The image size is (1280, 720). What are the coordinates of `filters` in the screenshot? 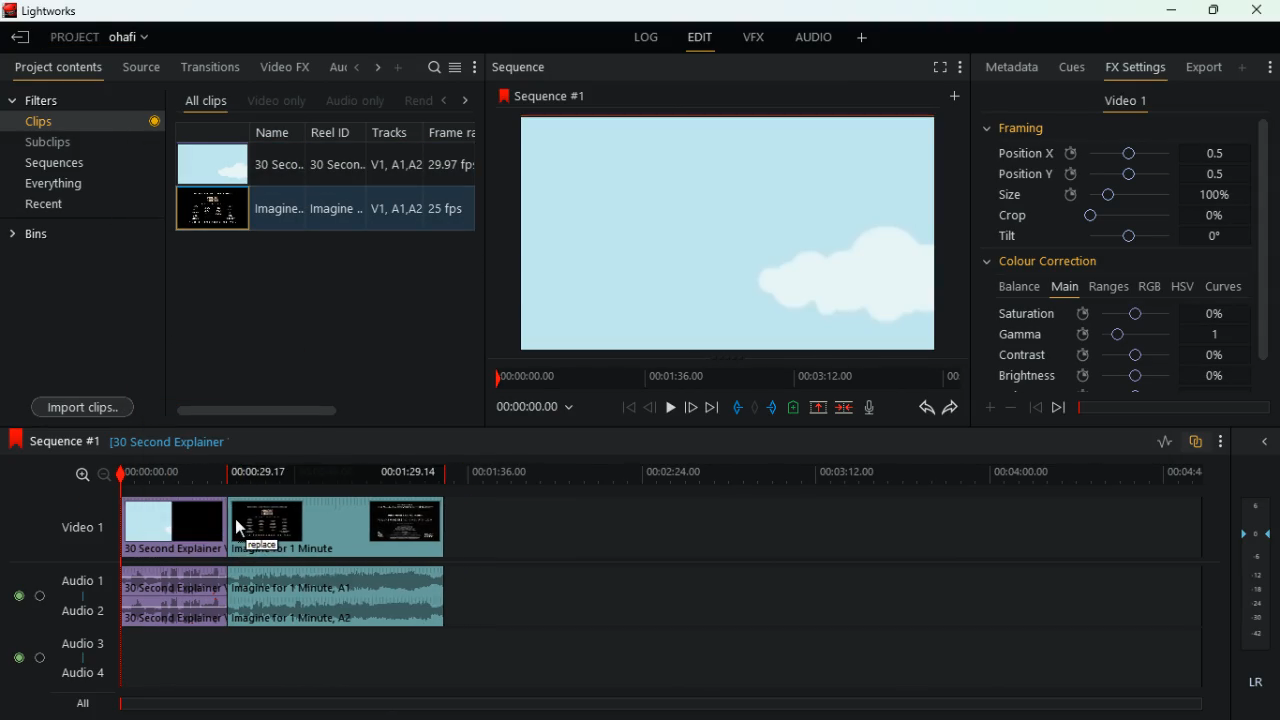 It's located at (50, 101).